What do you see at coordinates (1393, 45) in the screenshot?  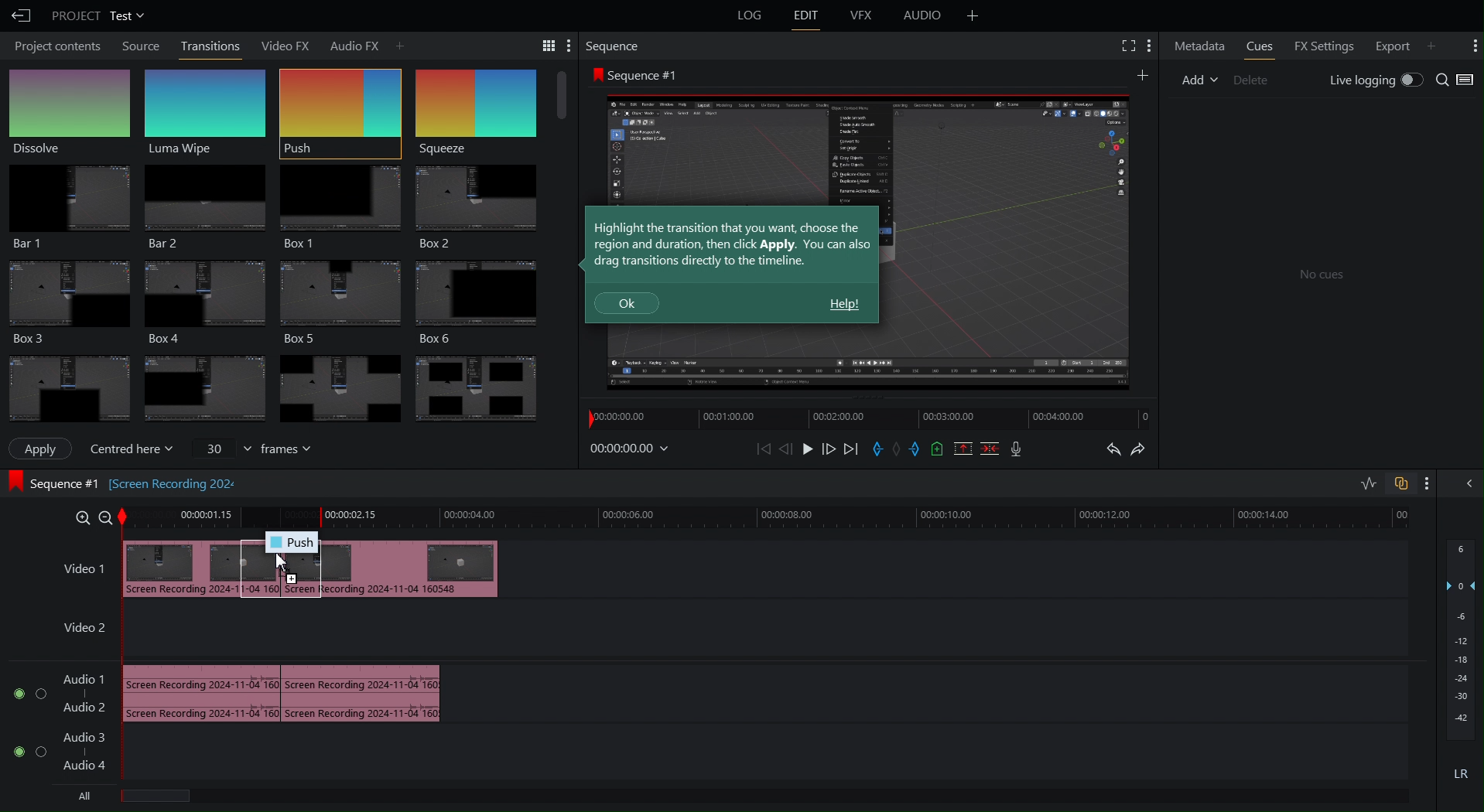 I see `Export` at bounding box center [1393, 45].